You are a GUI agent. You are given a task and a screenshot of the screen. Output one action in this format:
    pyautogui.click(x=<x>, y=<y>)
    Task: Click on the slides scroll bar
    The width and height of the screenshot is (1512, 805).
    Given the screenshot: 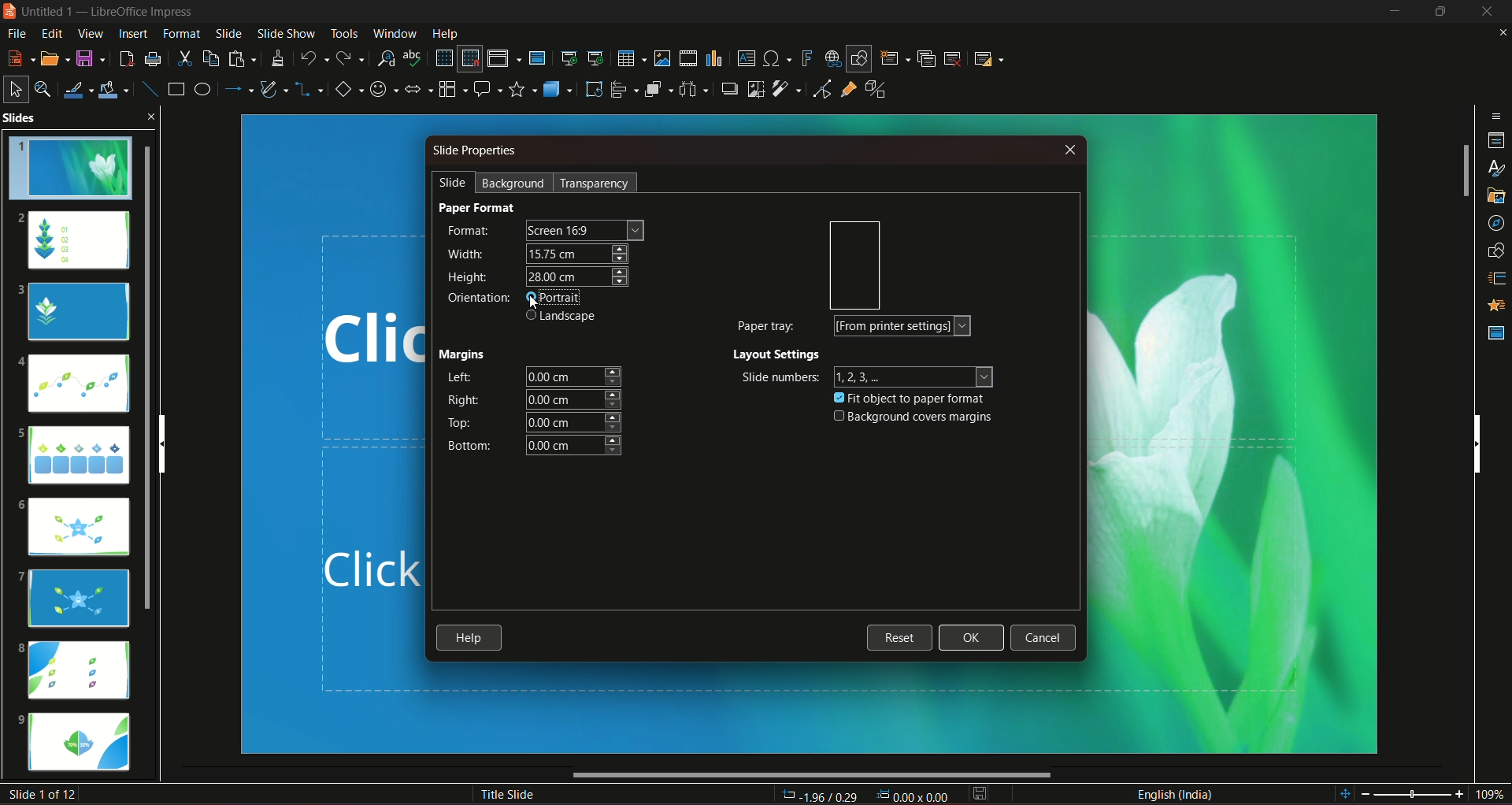 What is the action you would take?
    pyautogui.click(x=154, y=376)
    